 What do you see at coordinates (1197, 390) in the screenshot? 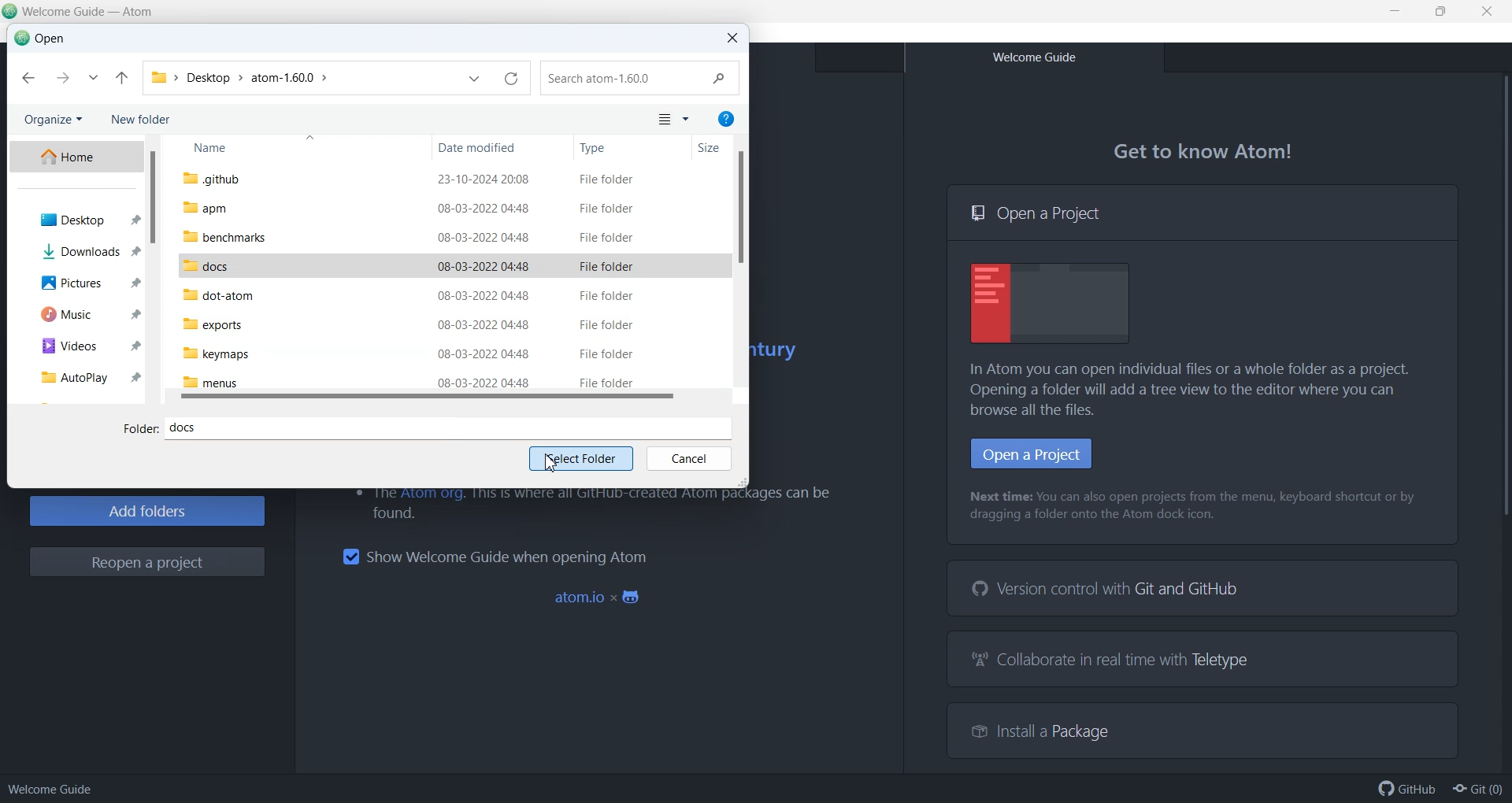
I see `In Atom you can open individual files or a whole folder as a project.
Opening a folder will add a tree view to the editor where you can
browse all the files.` at bounding box center [1197, 390].